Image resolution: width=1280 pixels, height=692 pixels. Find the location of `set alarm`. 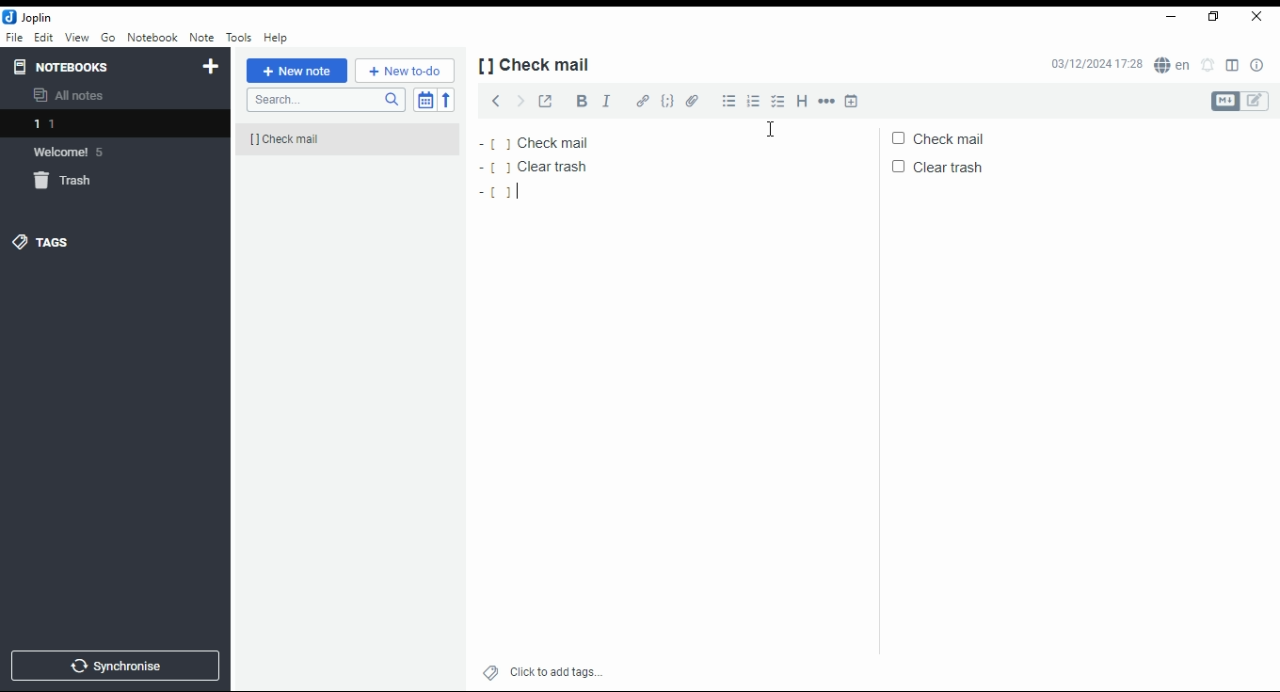

set alarm is located at coordinates (1211, 65).